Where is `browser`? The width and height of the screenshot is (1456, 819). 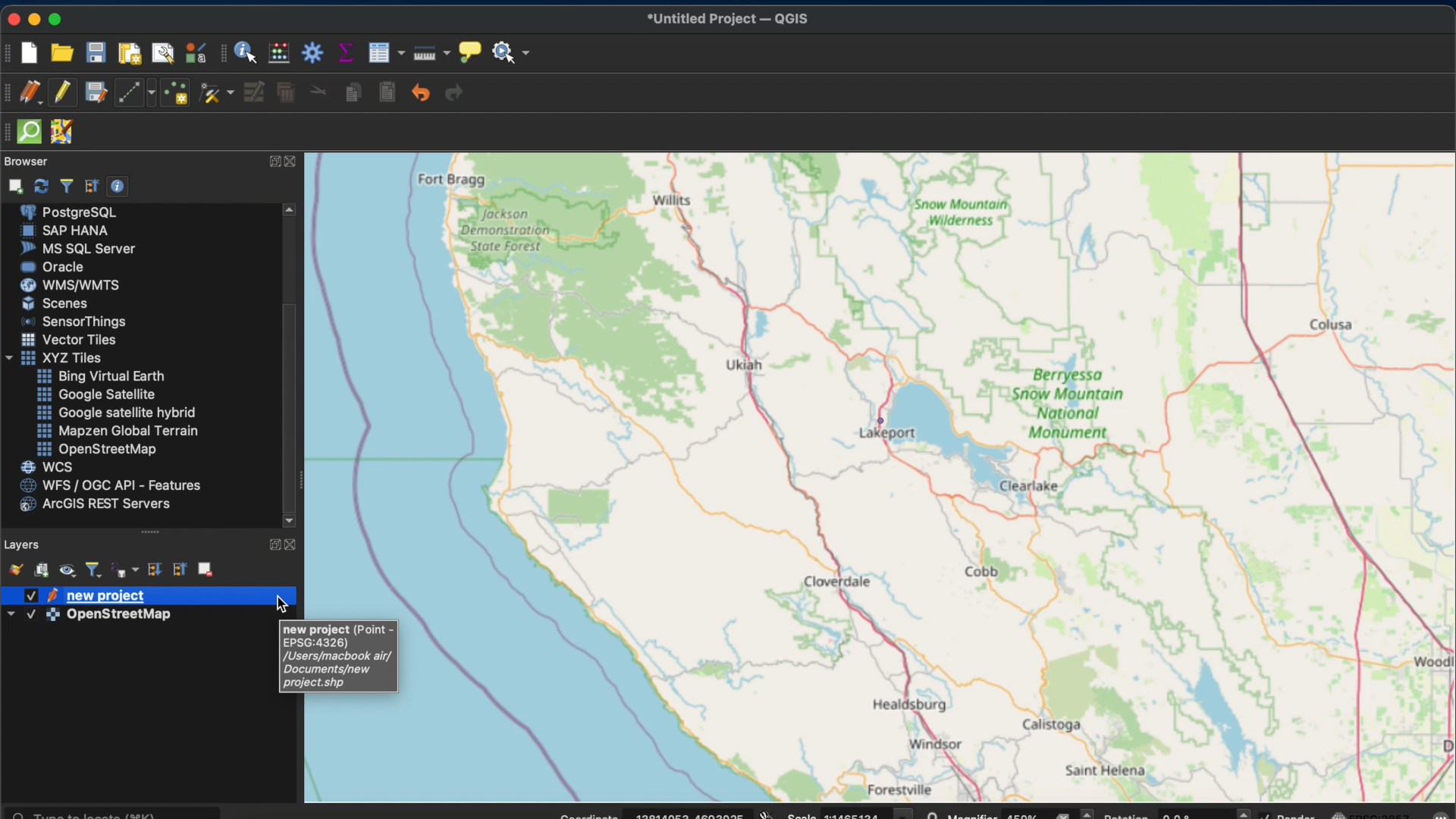
browser is located at coordinates (26, 162).